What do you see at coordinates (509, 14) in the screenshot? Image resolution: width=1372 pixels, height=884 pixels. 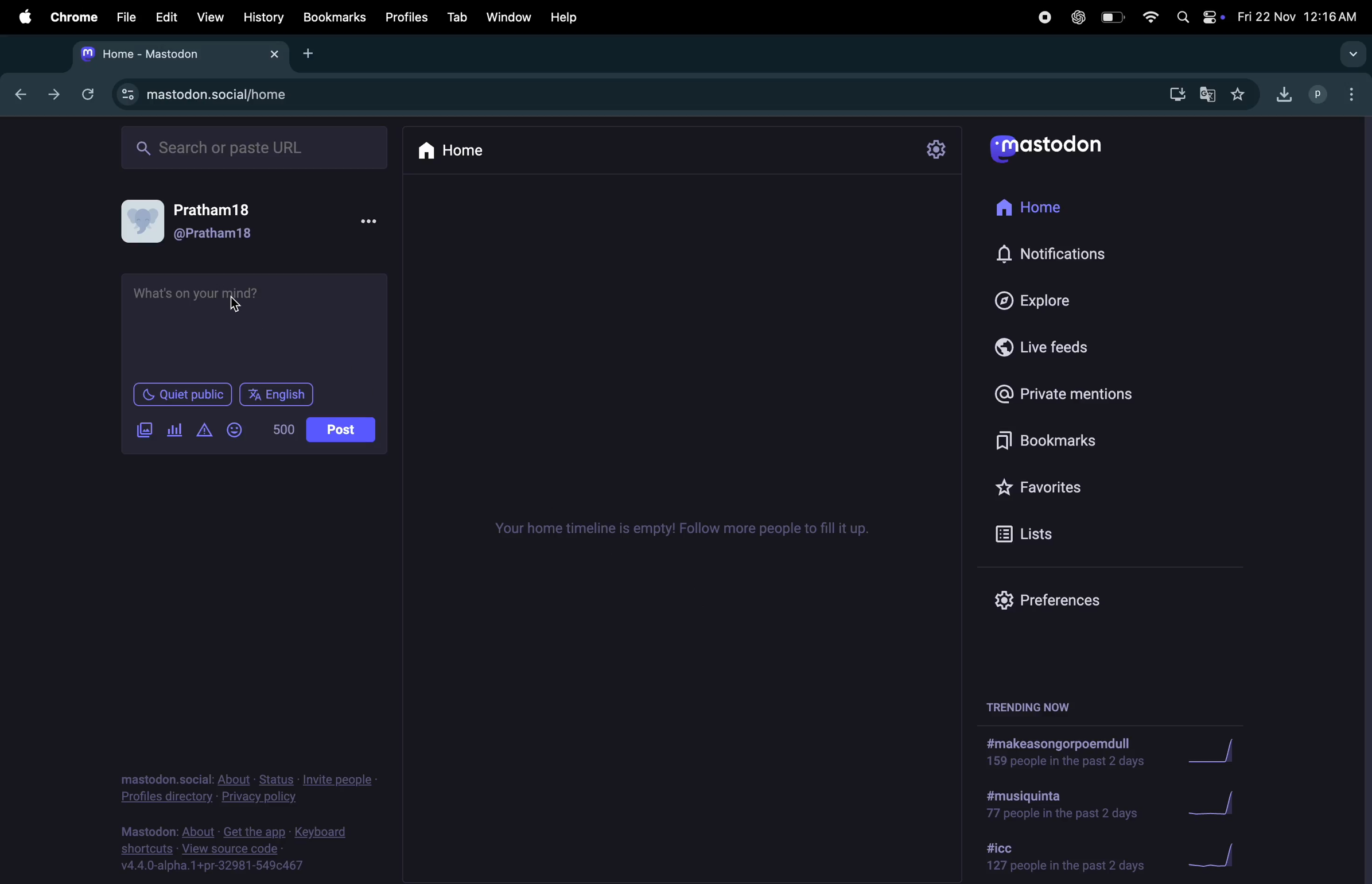 I see `window` at bounding box center [509, 14].